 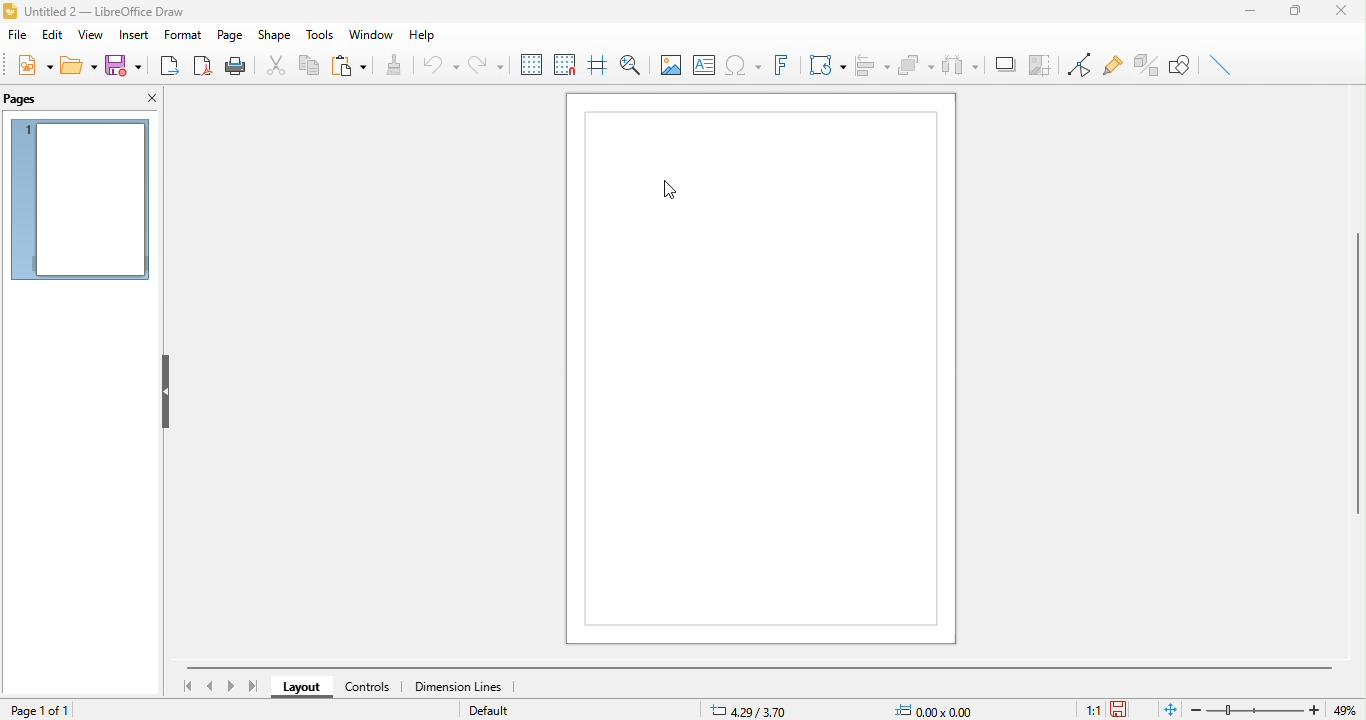 I want to click on gluepoint function, so click(x=1111, y=67).